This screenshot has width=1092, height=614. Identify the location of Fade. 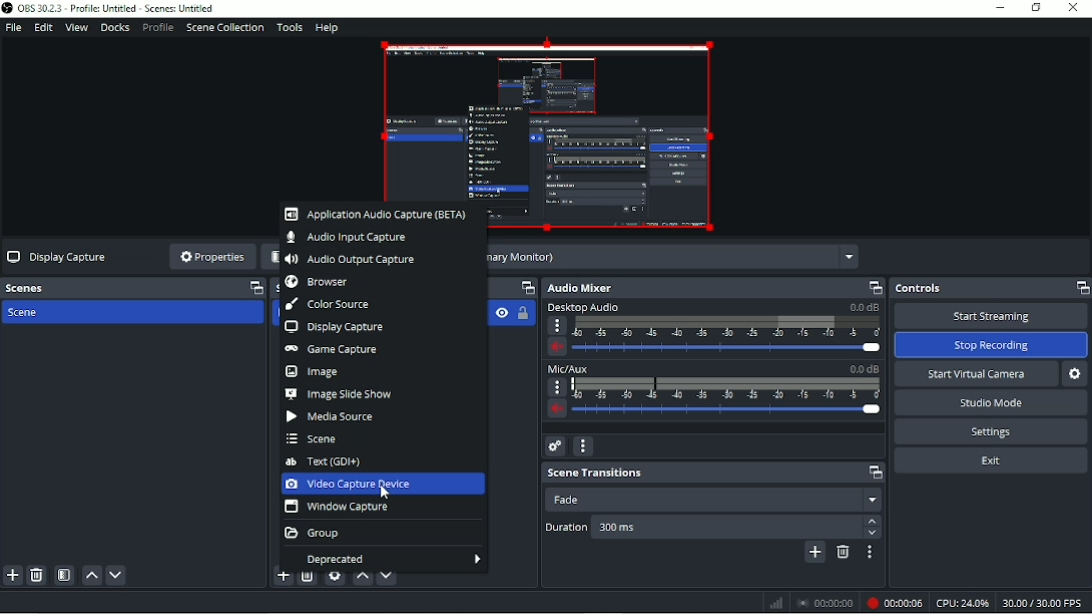
(713, 500).